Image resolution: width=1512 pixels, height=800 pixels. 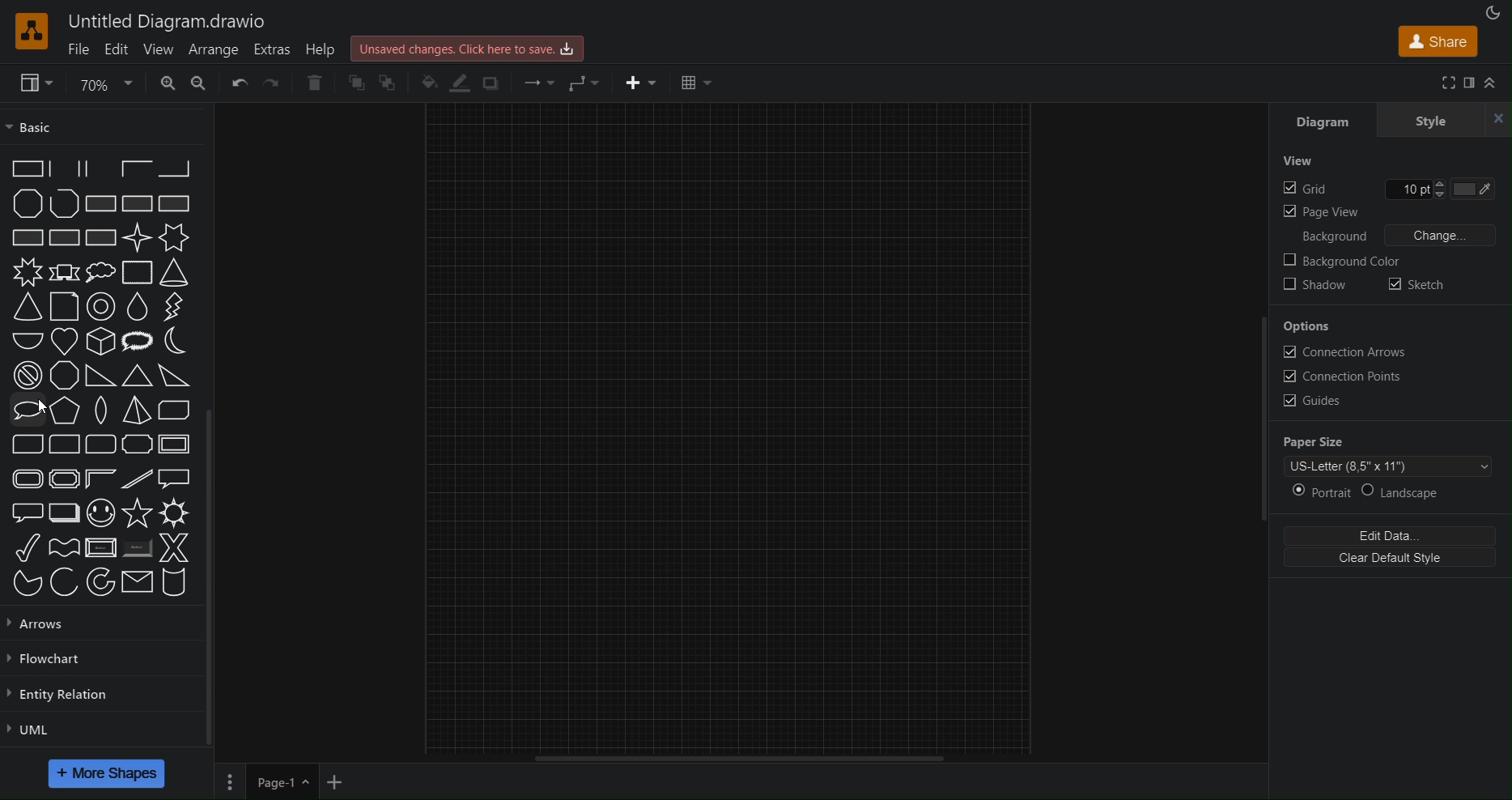 What do you see at coordinates (101, 513) in the screenshot?
I see `Smiley` at bounding box center [101, 513].